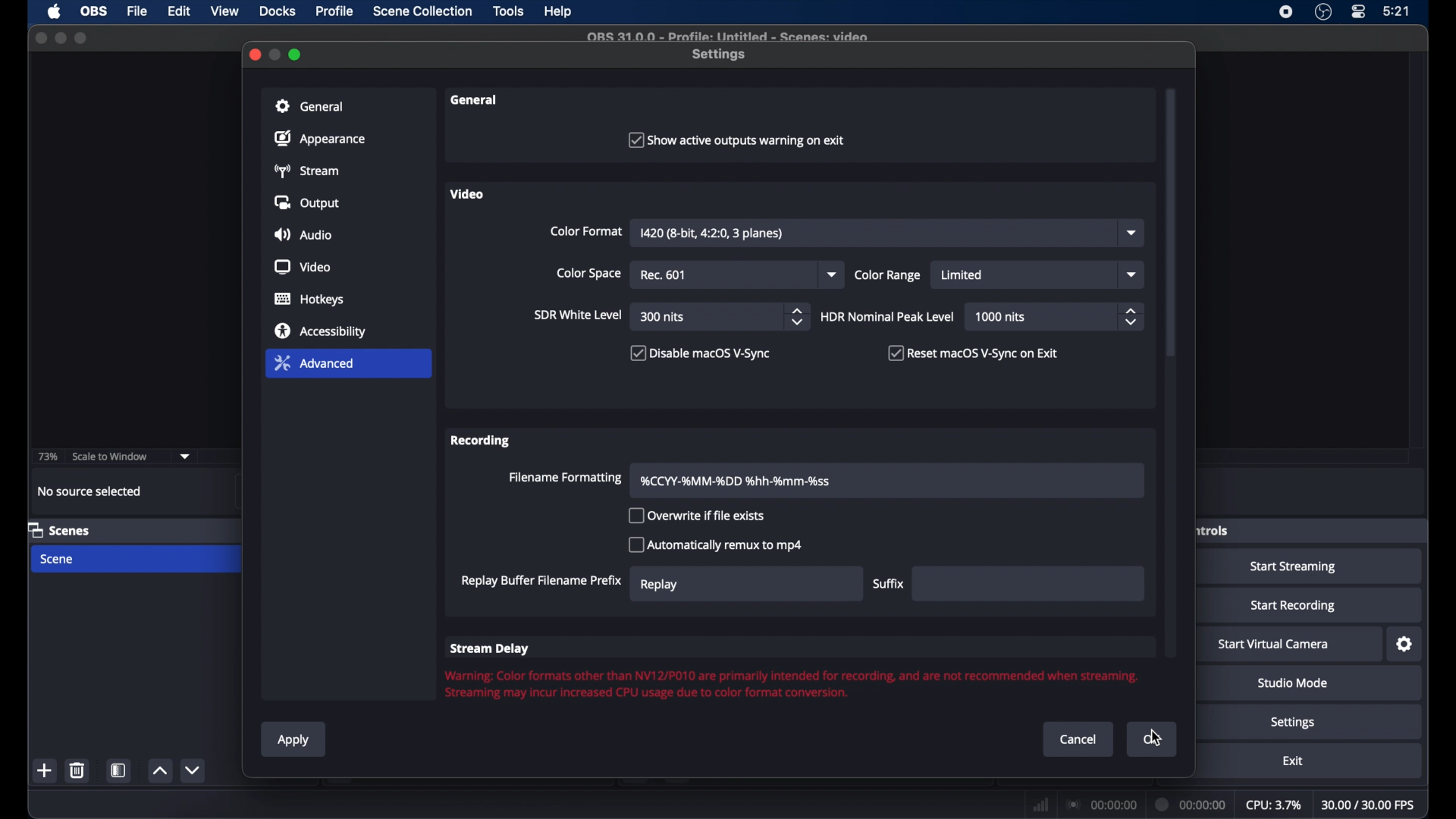 This screenshot has width=1456, height=819. What do you see at coordinates (833, 275) in the screenshot?
I see `dropdown` at bounding box center [833, 275].